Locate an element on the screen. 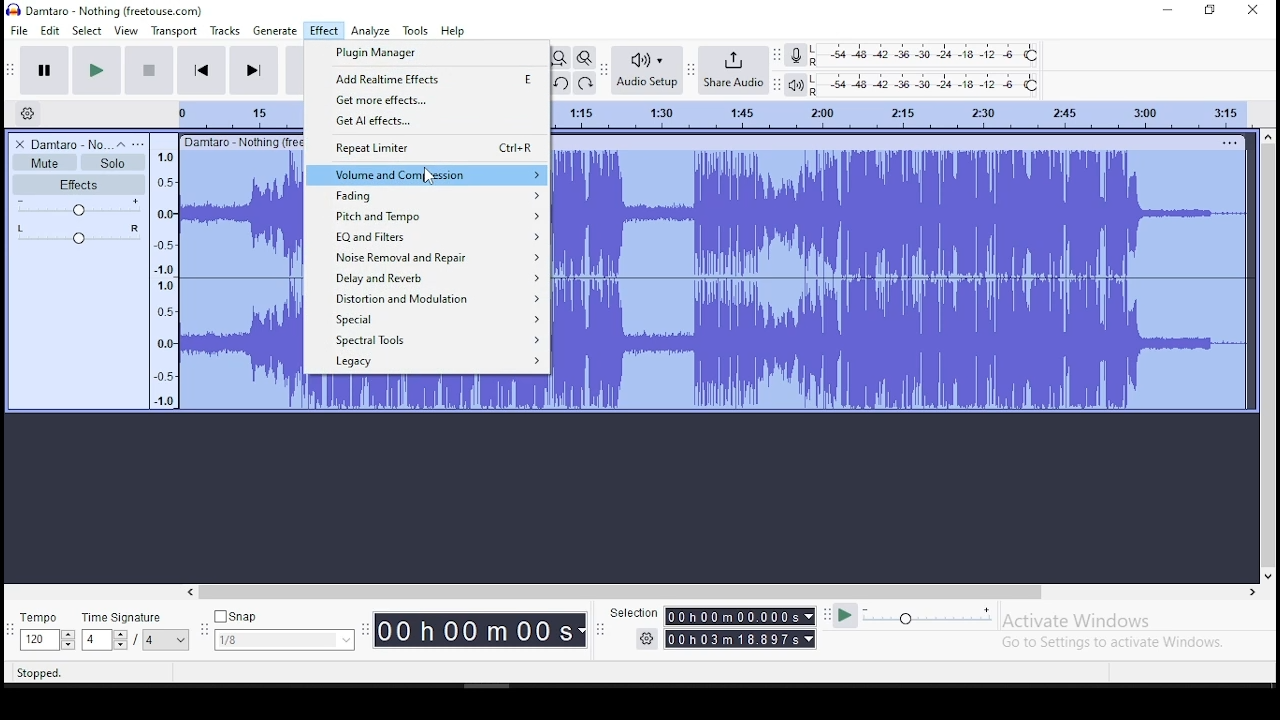 Image resolution: width=1280 pixels, height=720 pixels. play is located at coordinates (100, 69).